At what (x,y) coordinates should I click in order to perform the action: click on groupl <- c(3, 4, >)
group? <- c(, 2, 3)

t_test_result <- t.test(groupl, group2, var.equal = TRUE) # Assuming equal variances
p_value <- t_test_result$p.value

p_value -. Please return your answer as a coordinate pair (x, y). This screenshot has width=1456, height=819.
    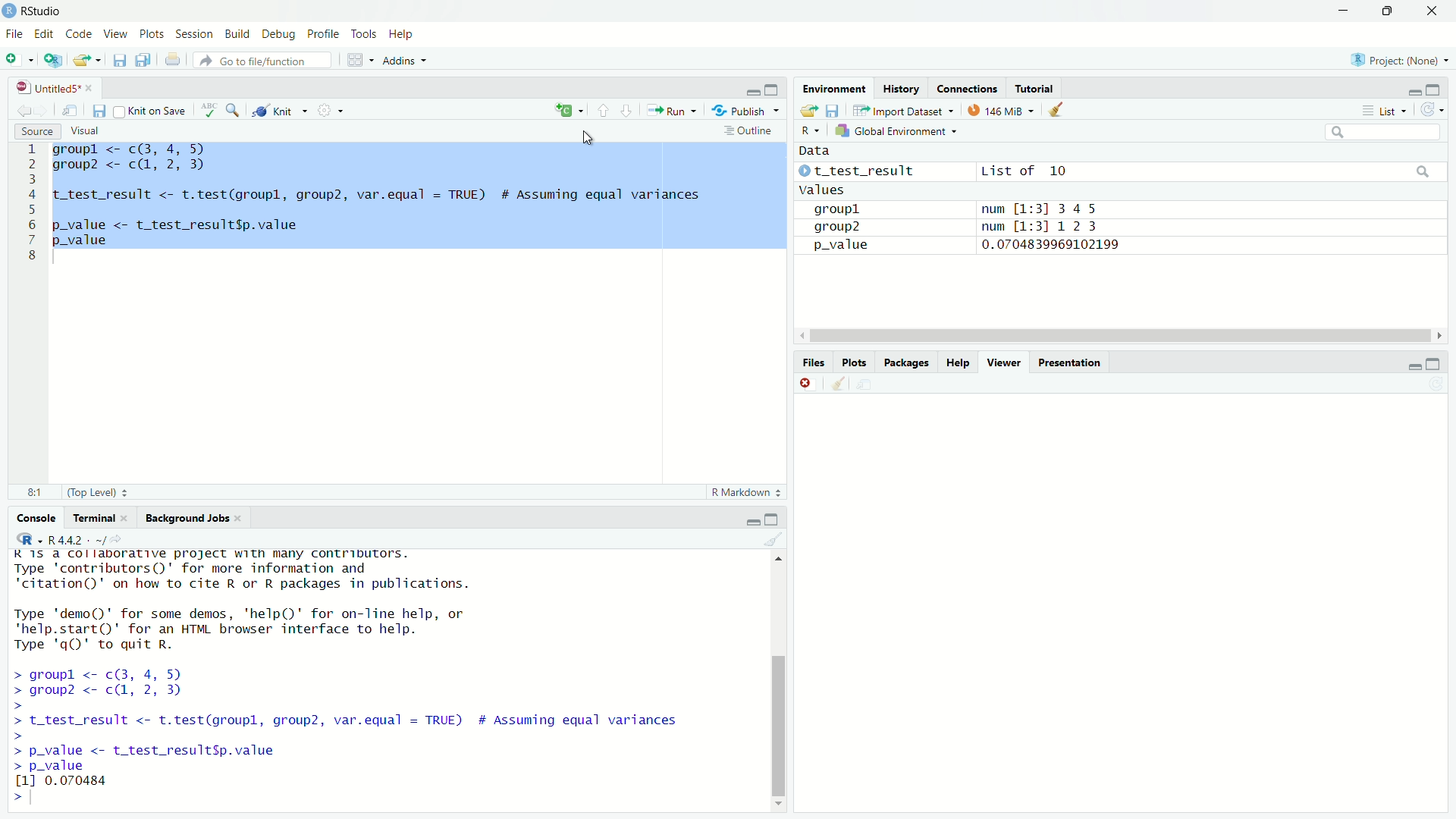
    Looking at the image, I should click on (416, 196).